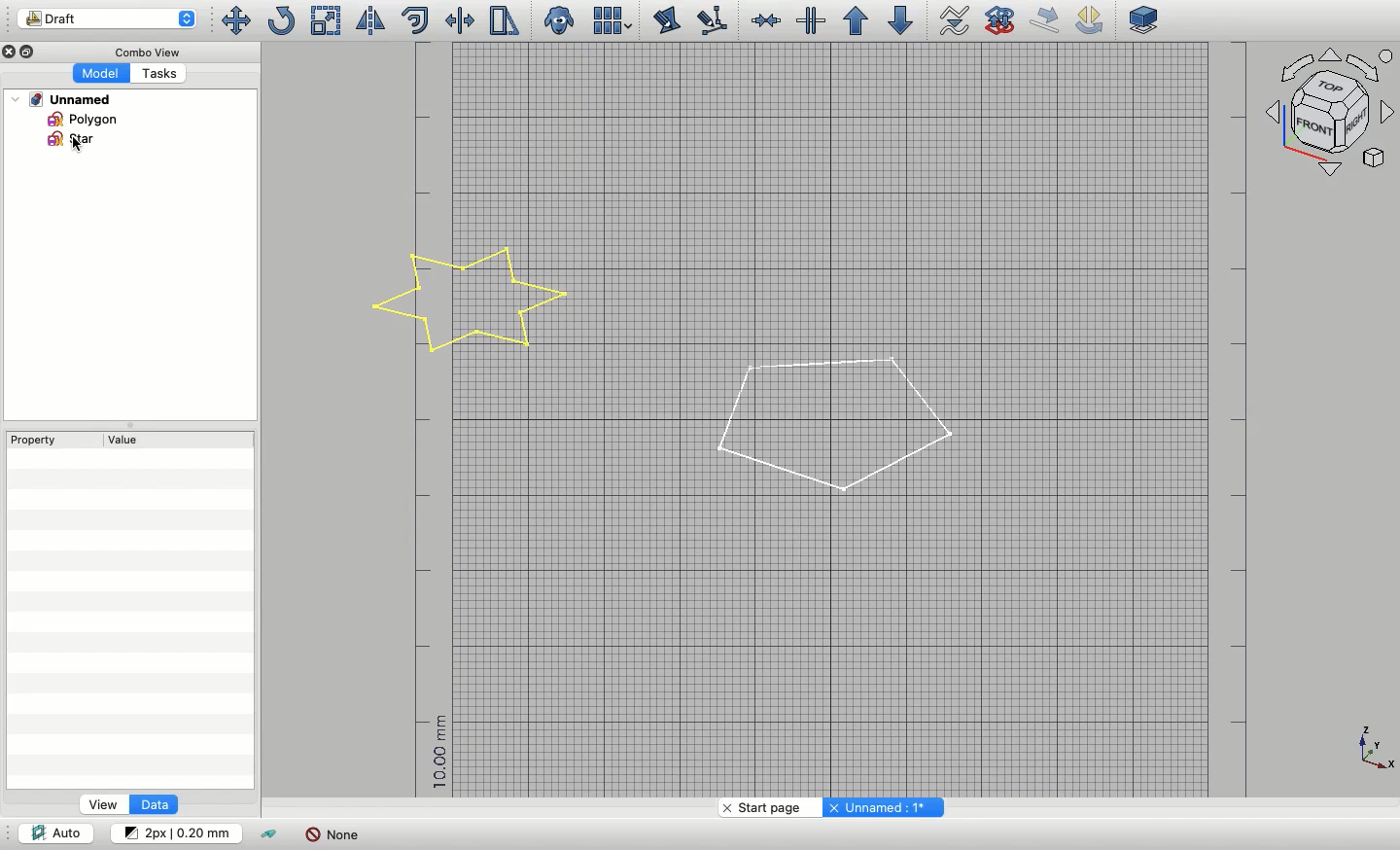 The width and height of the screenshot is (1400, 850). What do you see at coordinates (103, 18) in the screenshot?
I see `Draft workbench` at bounding box center [103, 18].